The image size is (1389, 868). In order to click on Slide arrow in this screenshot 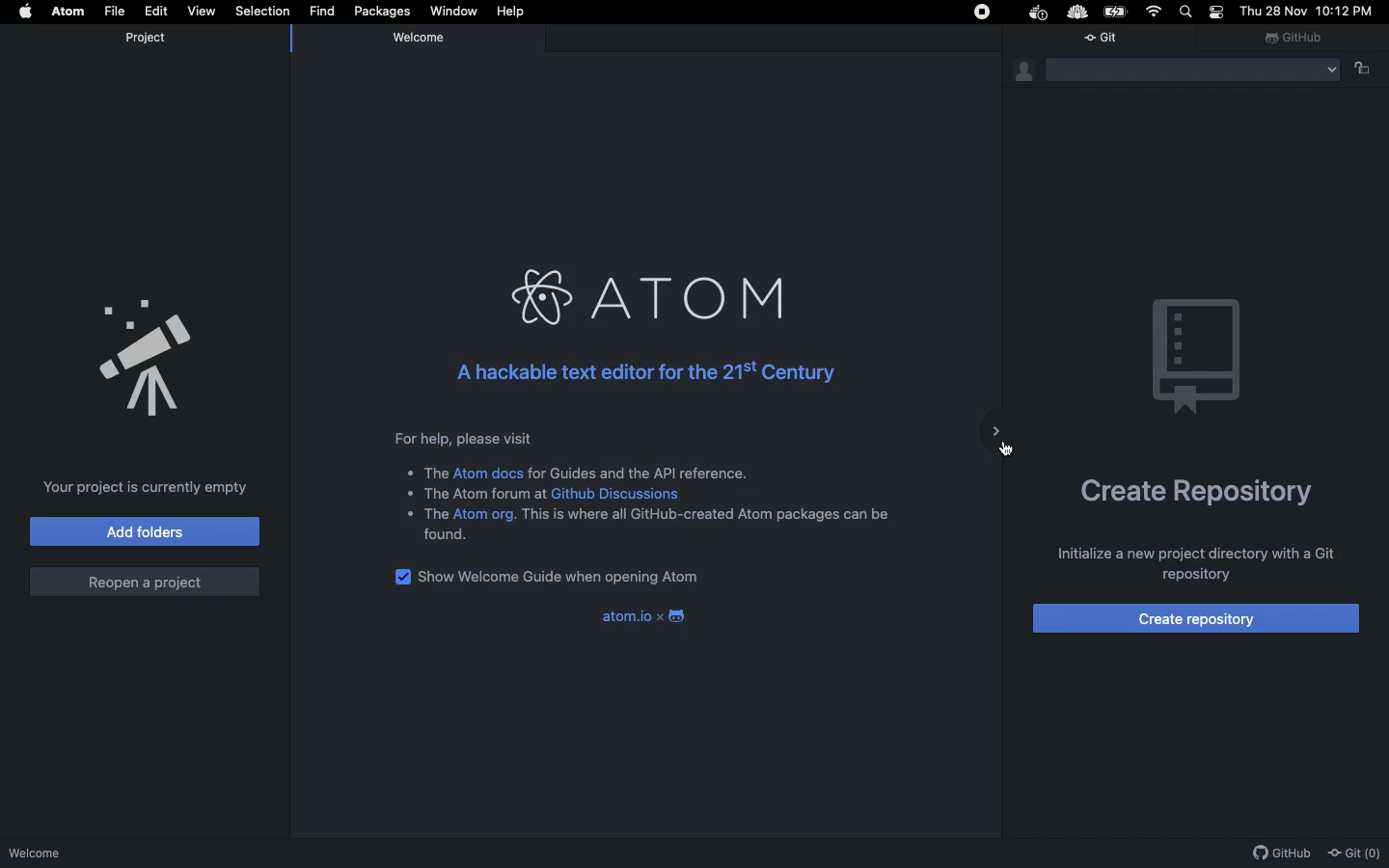, I will do `click(998, 437)`.